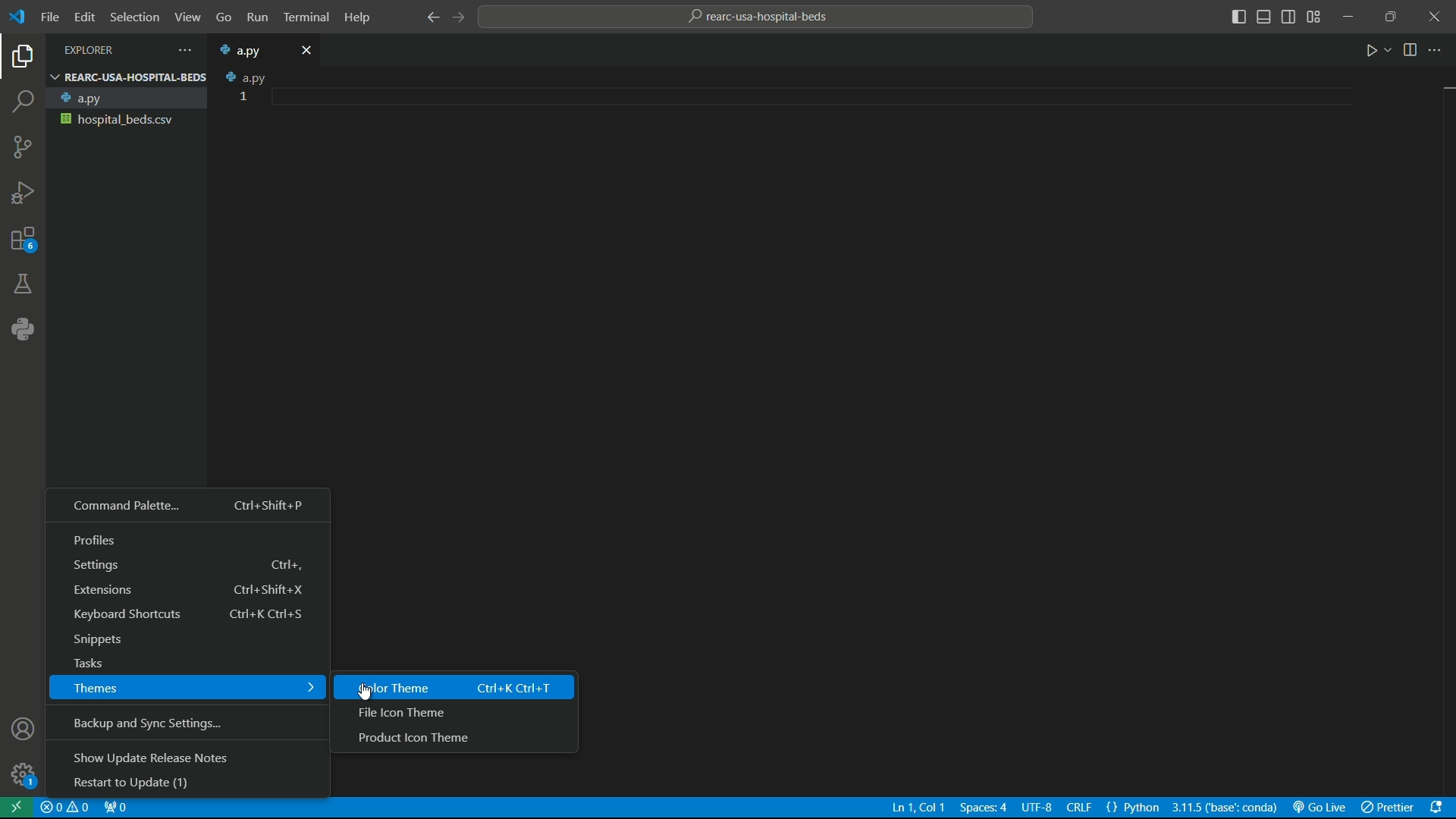 This screenshot has width=1456, height=819. What do you see at coordinates (1314, 17) in the screenshot?
I see `change layout` at bounding box center [1314, 17].